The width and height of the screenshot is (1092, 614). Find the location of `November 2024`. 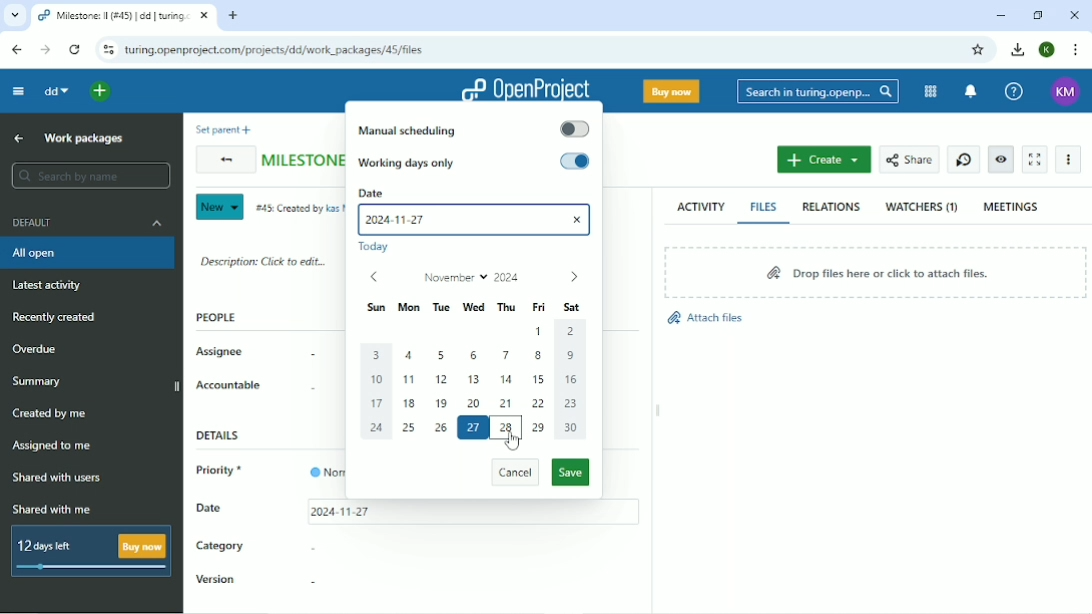

November 2024 is located at coordinates (473, 277).